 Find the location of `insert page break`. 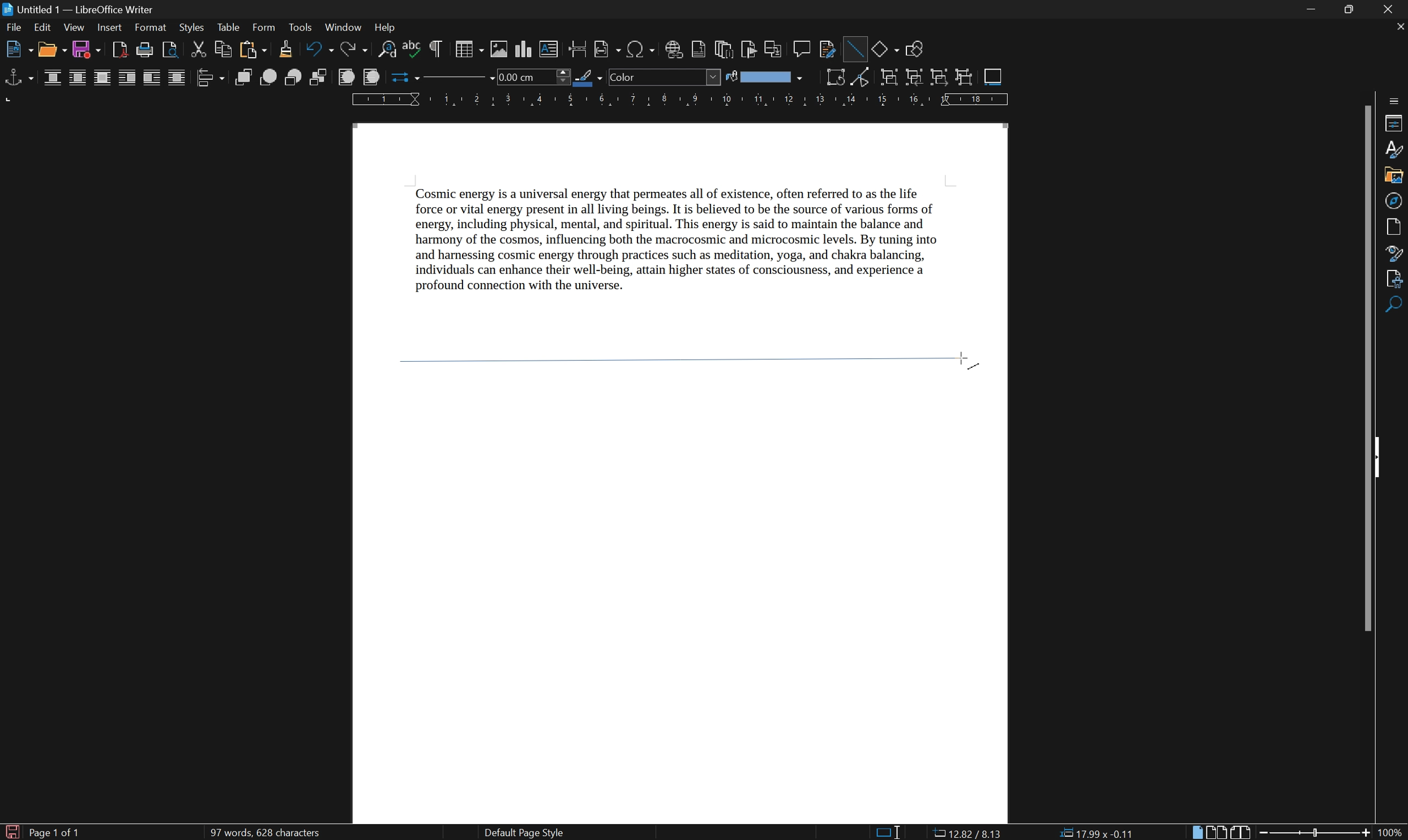

insert page break is located at coordinates (576, 48).